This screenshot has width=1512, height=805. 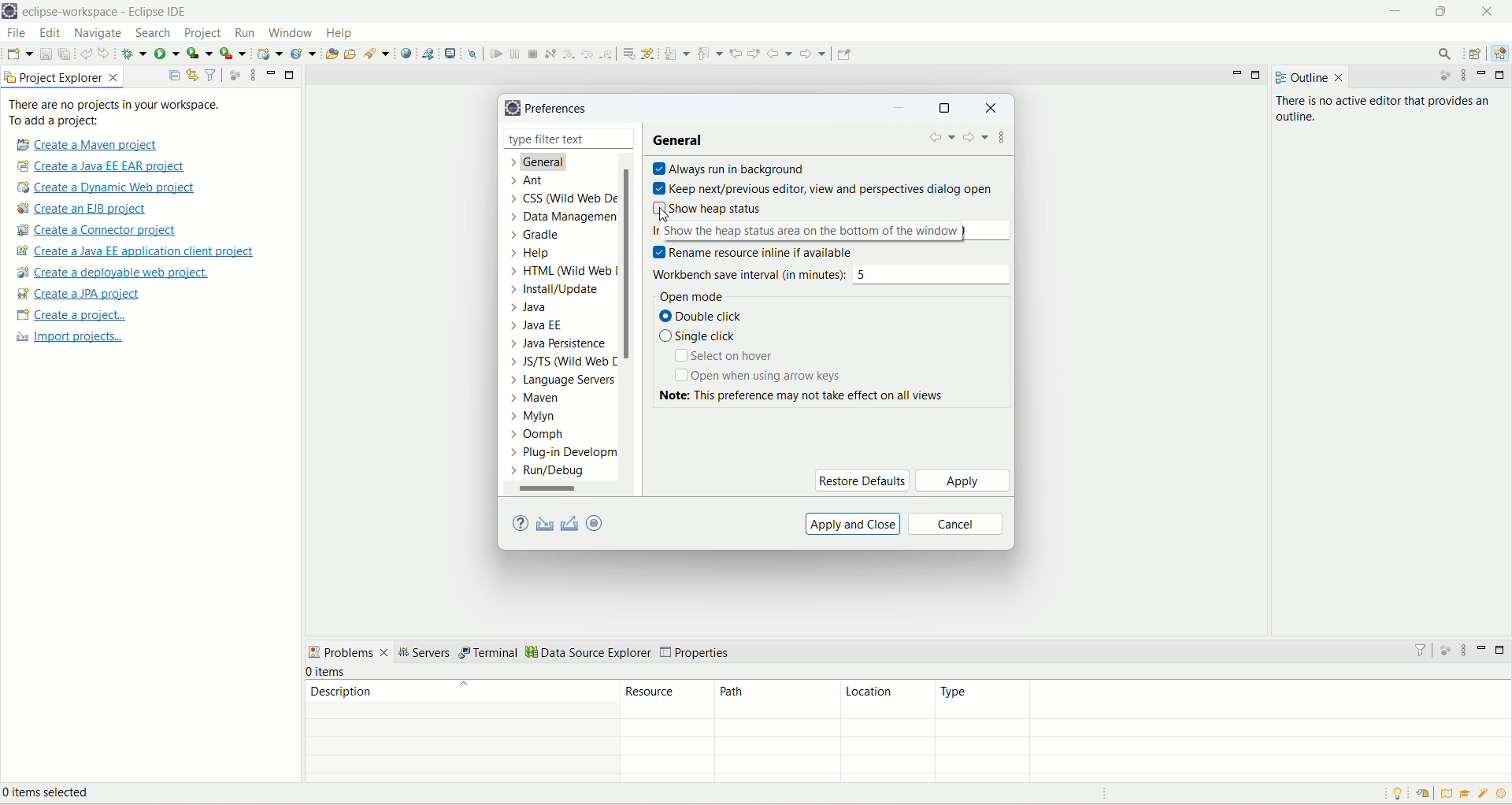 What do you see at coordinates (589, 654) in the screenshot?
I see `data source explorer` at bounding box center [589, 654].